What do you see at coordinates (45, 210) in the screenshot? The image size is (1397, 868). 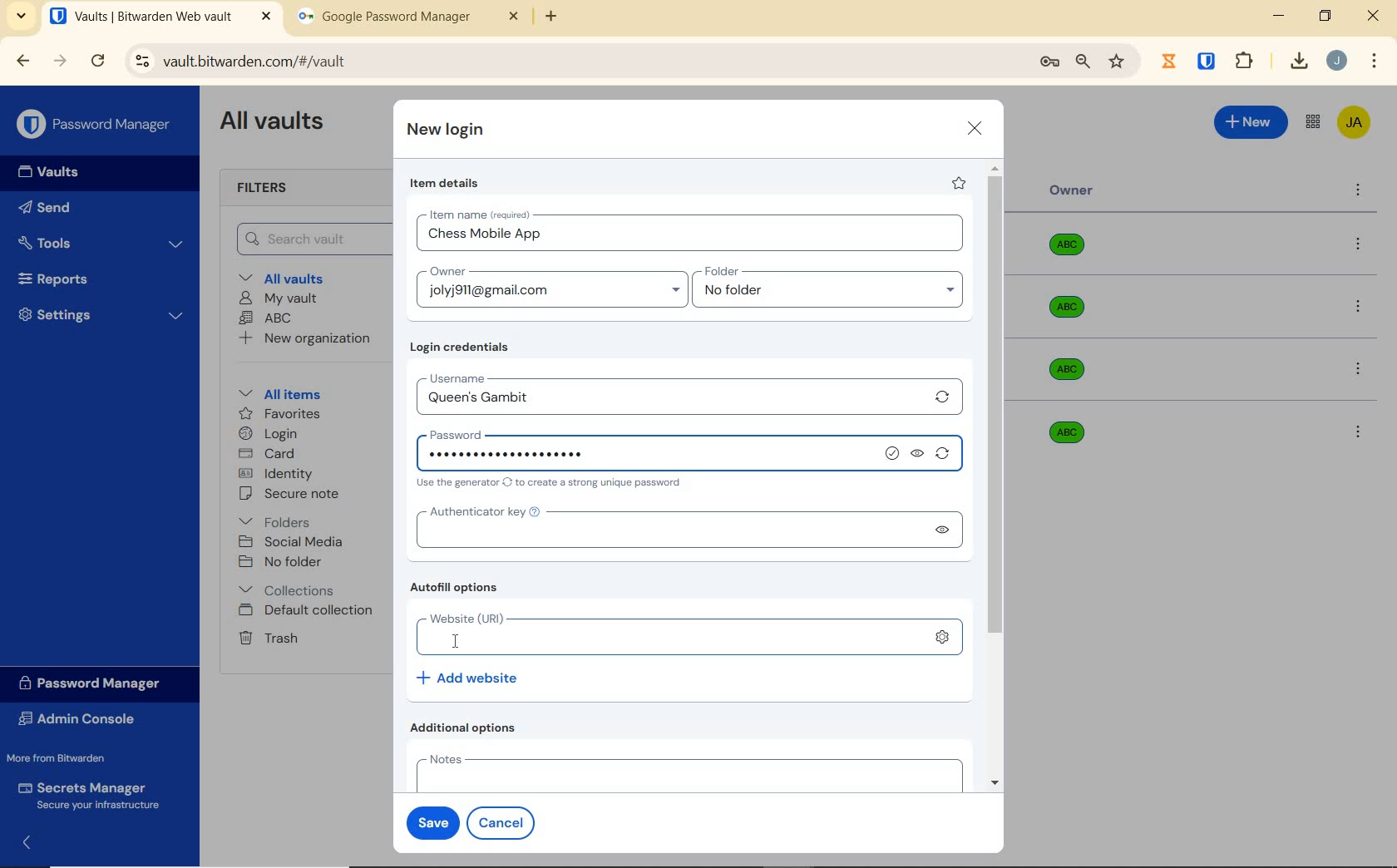 I see `Send` at bounding box center [45, 210].